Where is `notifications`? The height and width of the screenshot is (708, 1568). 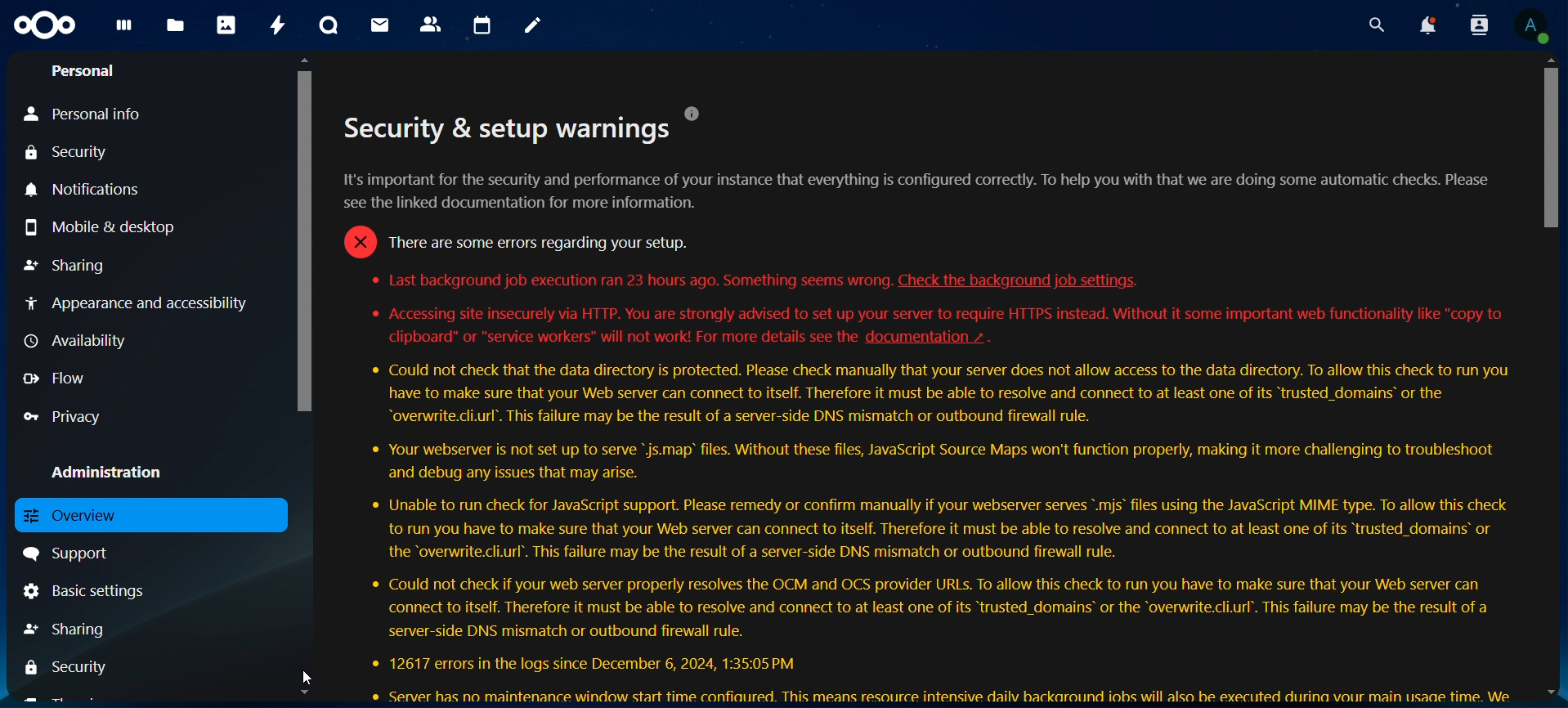
notifications is located at coordinates (1429, 23).